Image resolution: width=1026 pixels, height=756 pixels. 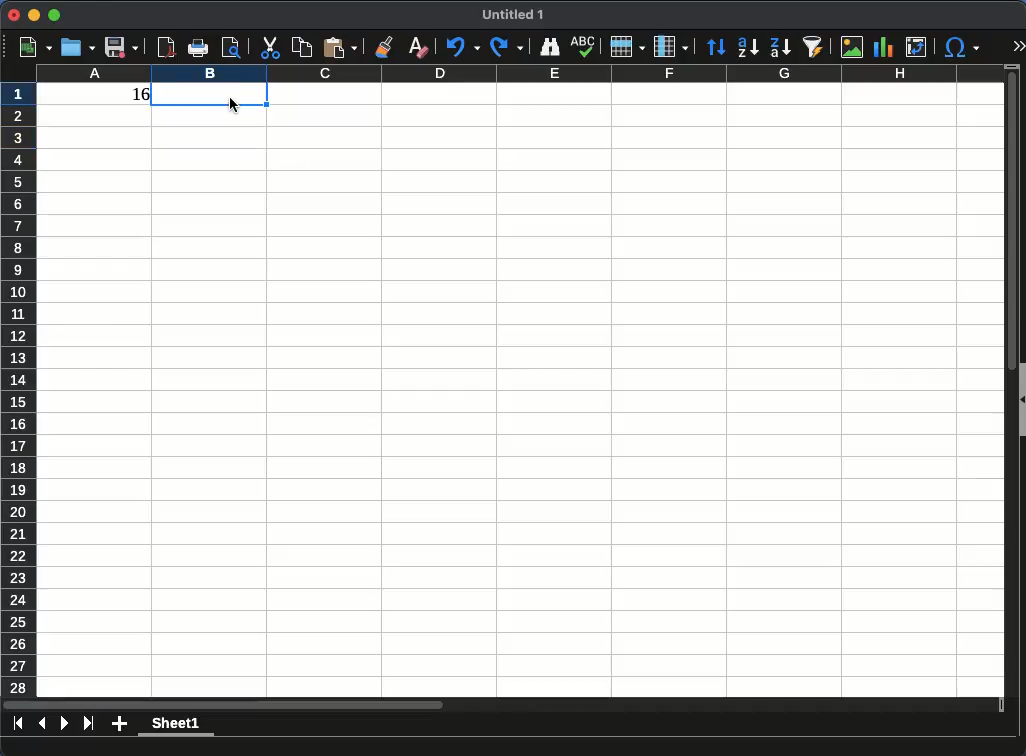 I want to click on column , so click(x=671, y=46).